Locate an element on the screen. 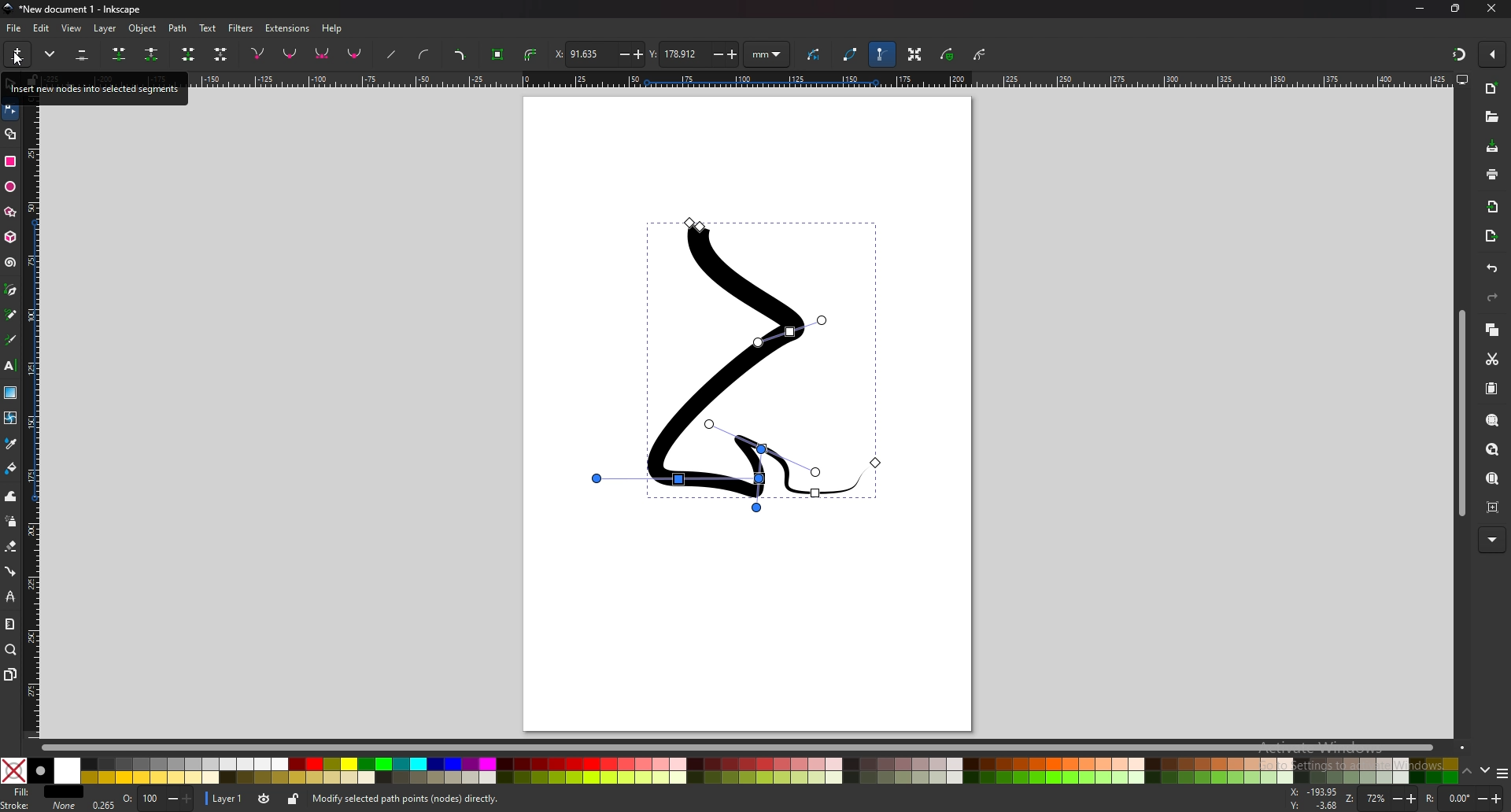  up is located at coordinates (1467, 772).